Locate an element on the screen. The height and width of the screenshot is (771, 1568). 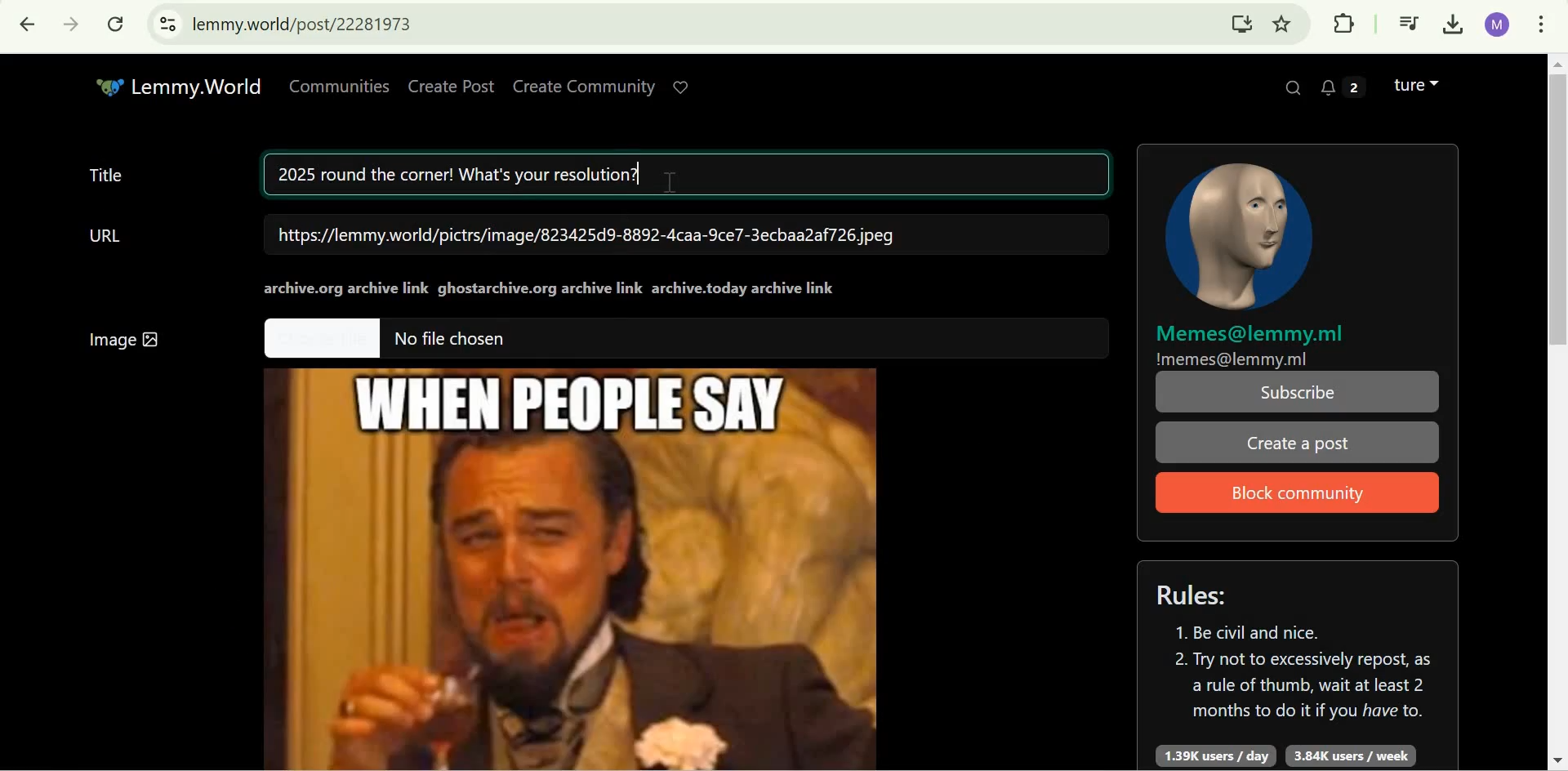
Downloads is located at coordinates (1455, 25).